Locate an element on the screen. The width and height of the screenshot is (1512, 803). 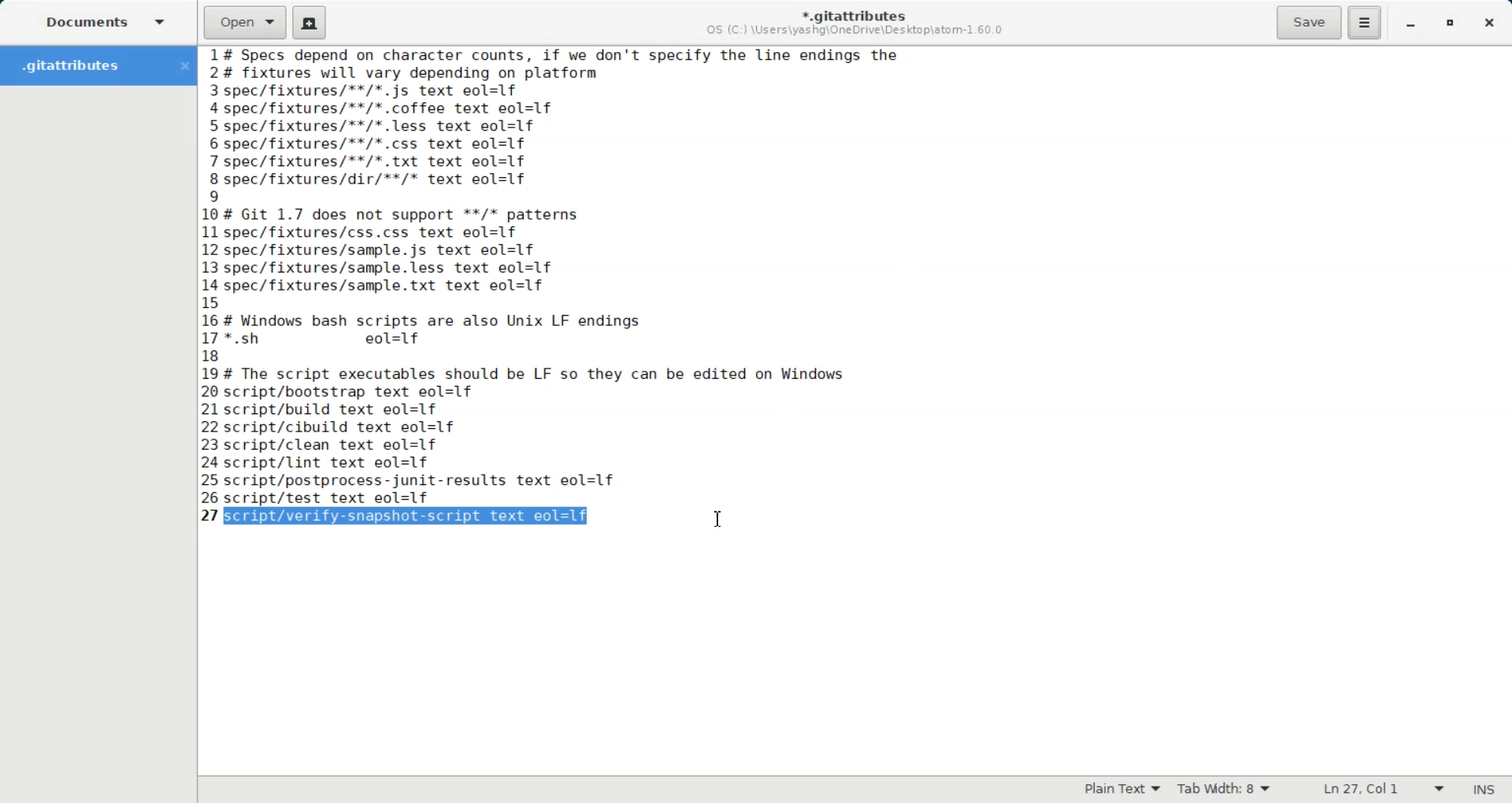
*.gitattributes is located at coordinates (850, 12).